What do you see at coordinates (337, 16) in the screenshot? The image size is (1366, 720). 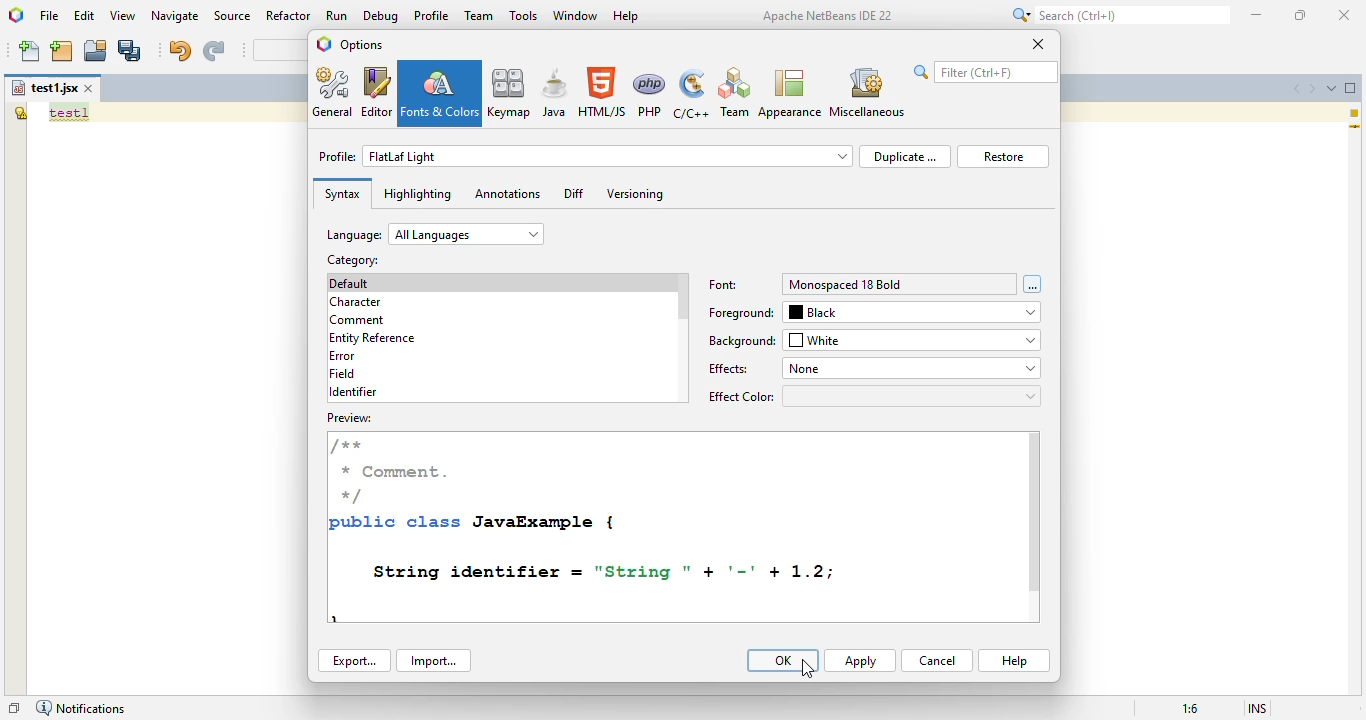 I see `run` at bounding box center [337, 16].